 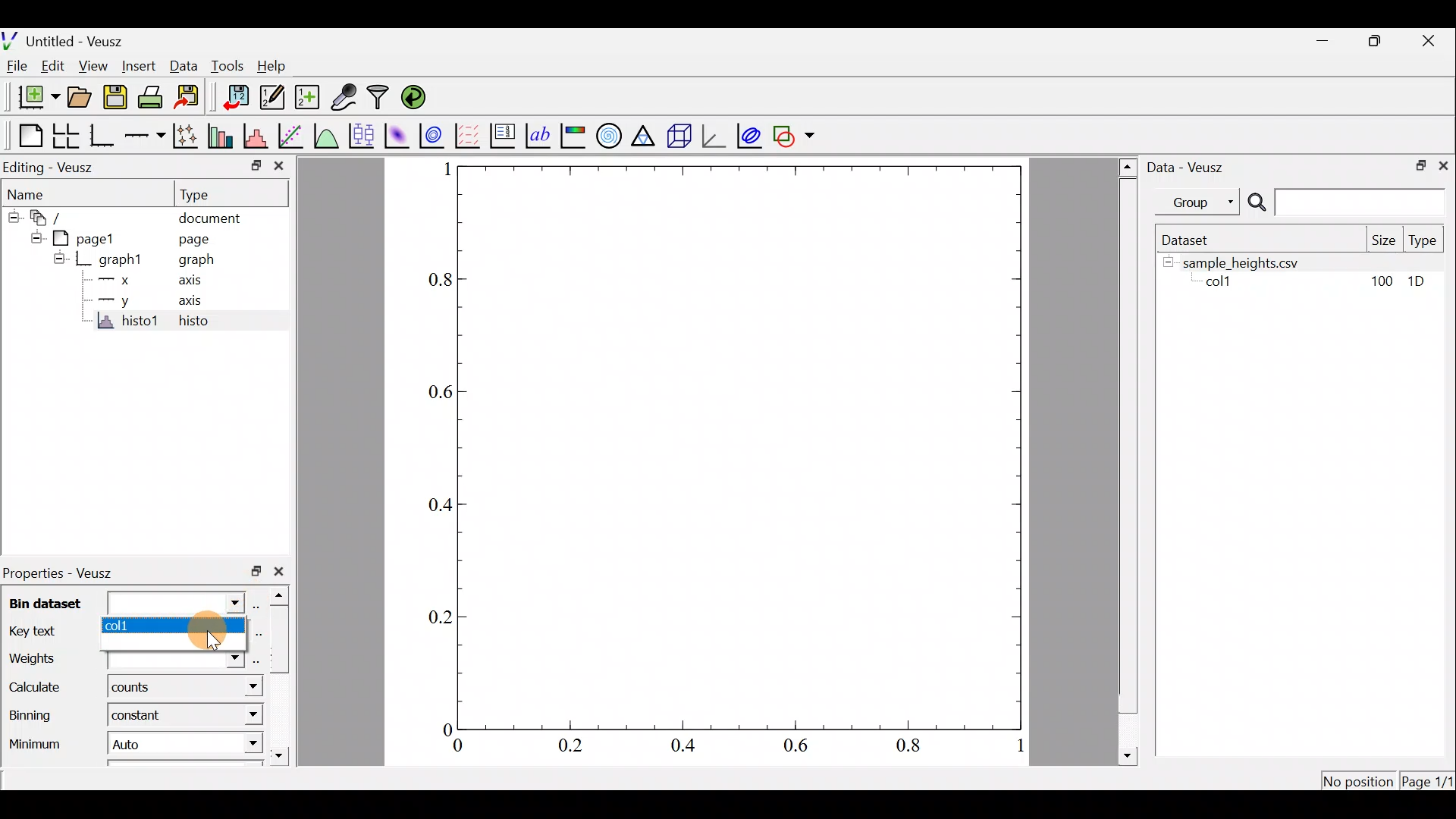 What do you see at coordinates (255, 659) in the screenshot?
I see `select using dataset browser` at bounding box center [255, 659].